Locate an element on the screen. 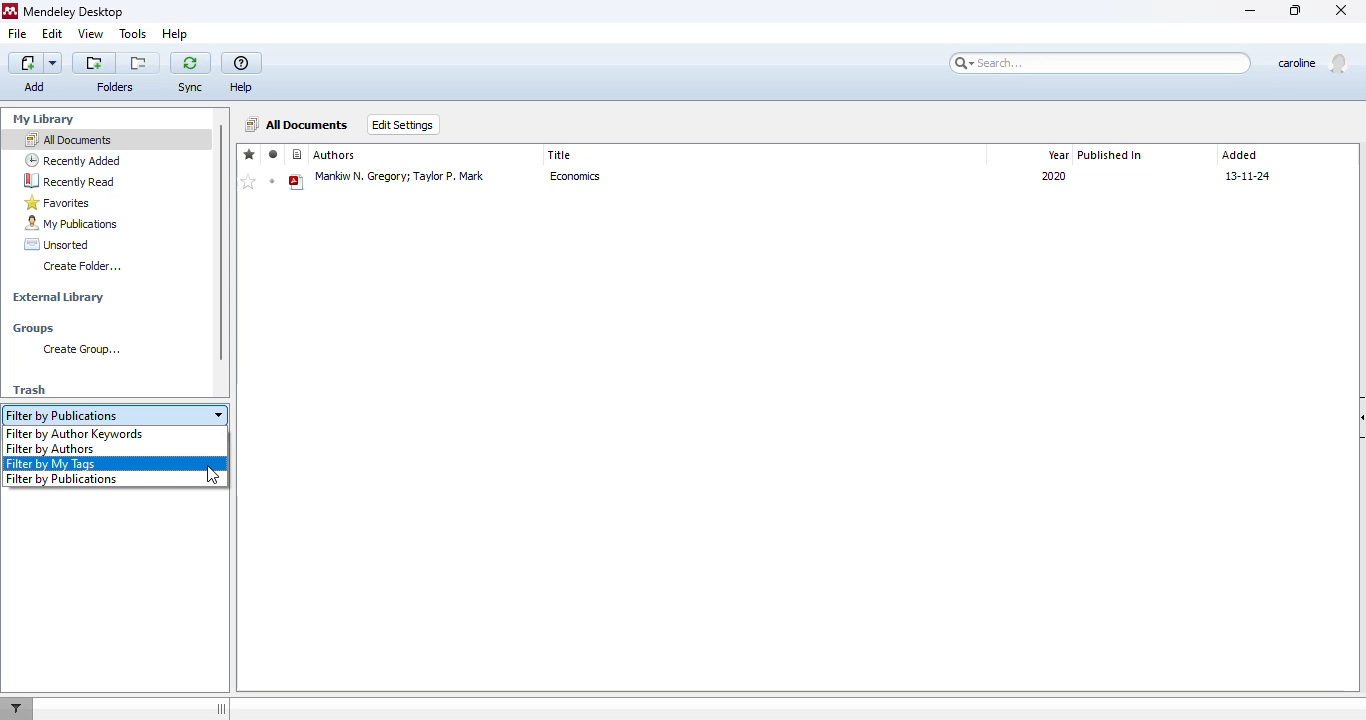  unsorted is located at coordinates (57, 244).